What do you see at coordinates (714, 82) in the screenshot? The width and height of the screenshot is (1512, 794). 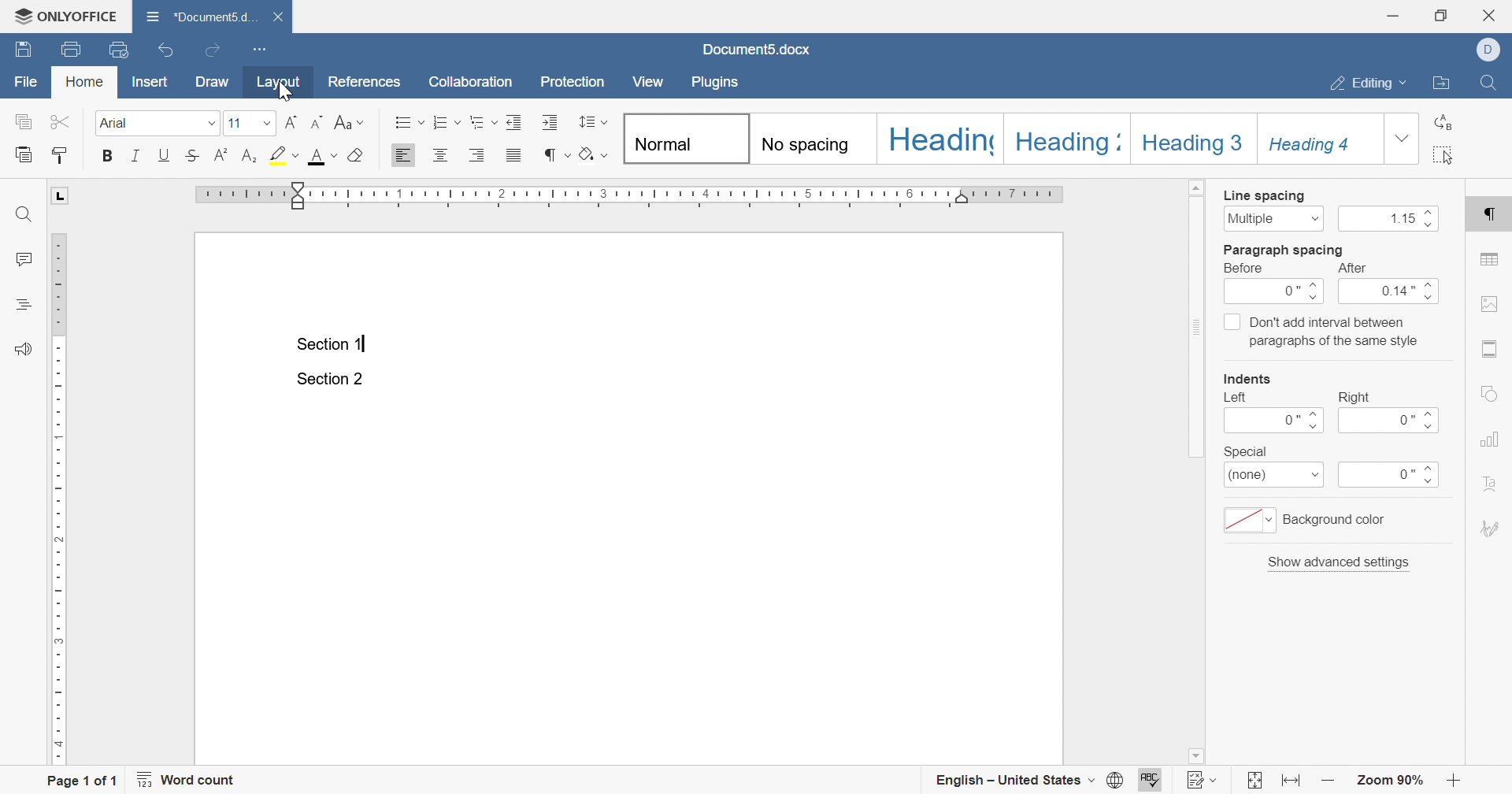 I see `plugins` at bounding box center [714, 82].